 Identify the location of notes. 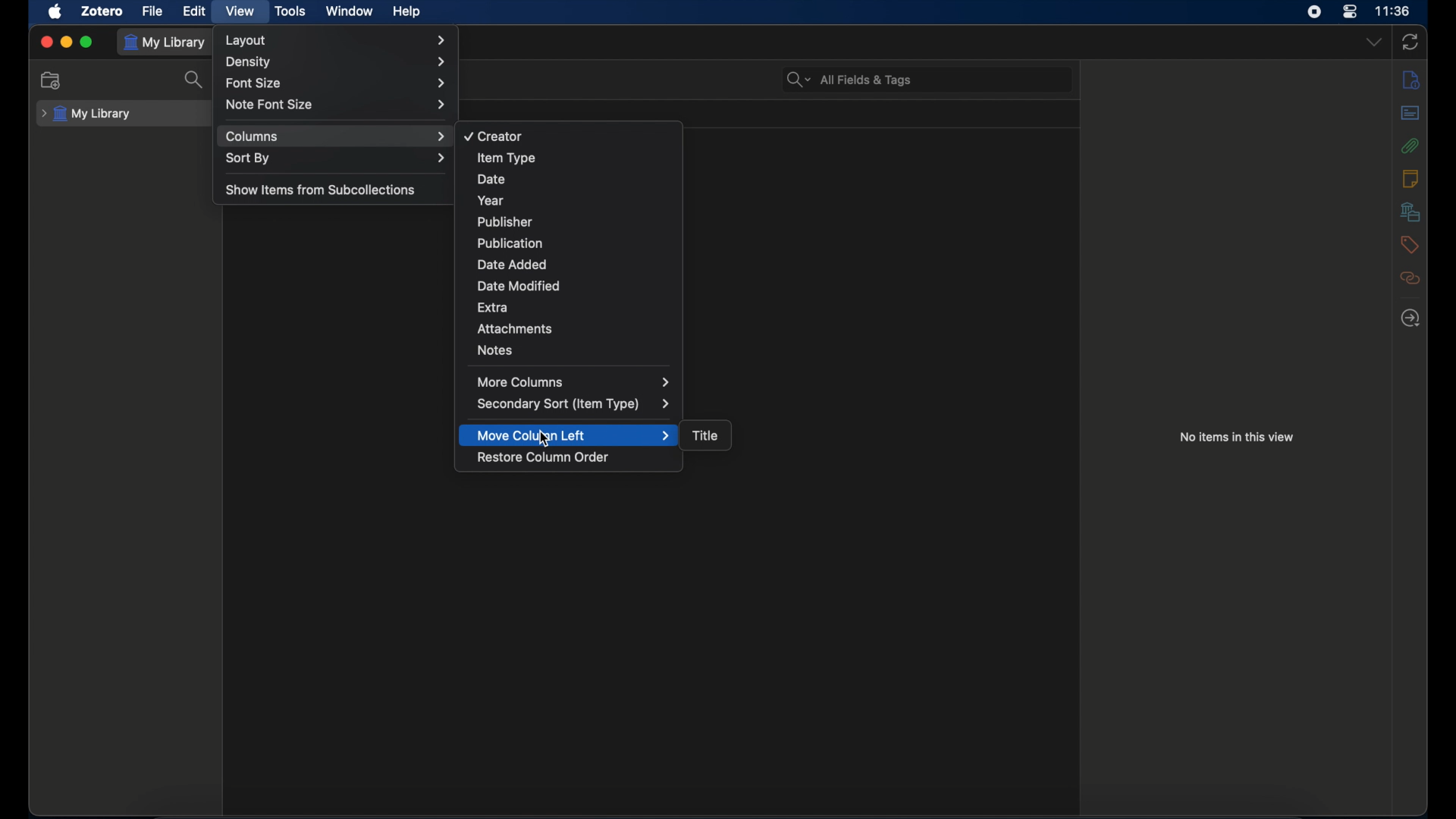
(497, 350).